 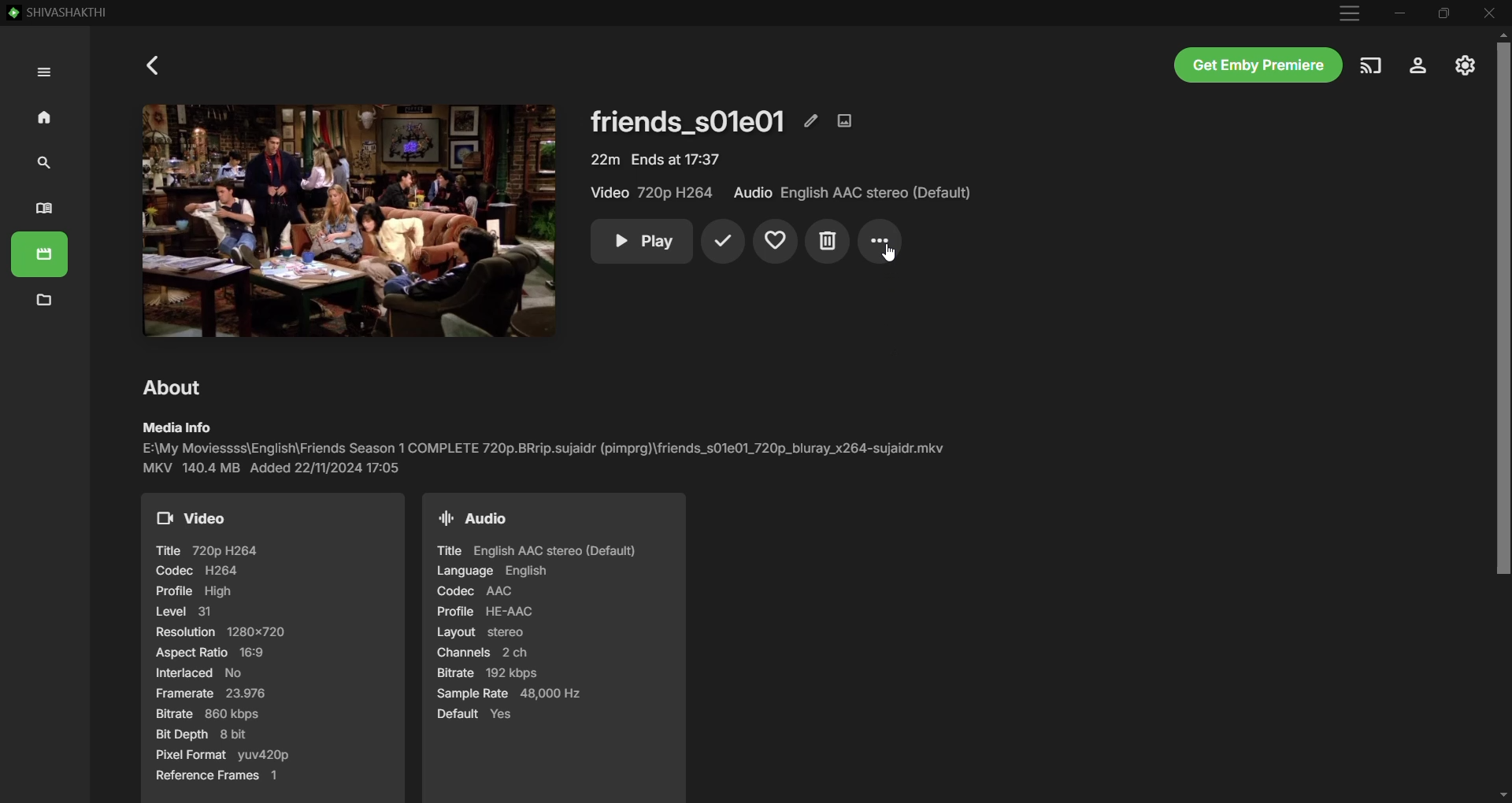 What do you see at coordinates (889, 253) in the screenshot?
I see `Cursor` at bounding box center [889, 253].